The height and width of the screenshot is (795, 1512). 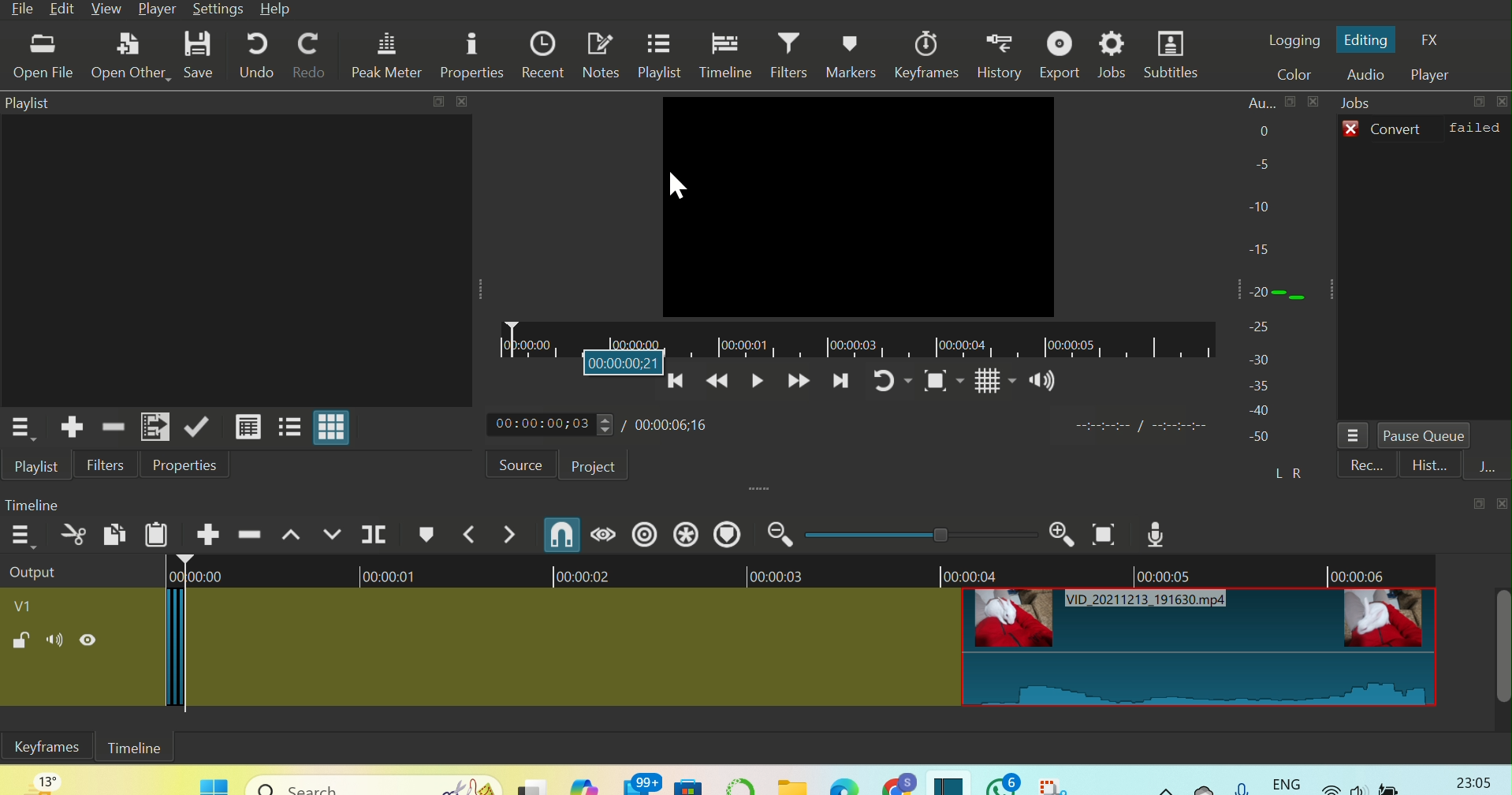 What do you see at coordinates (686, 536) in the screenshot?
I see `Creaye Edit Marker` at bounding box center [686, 536].